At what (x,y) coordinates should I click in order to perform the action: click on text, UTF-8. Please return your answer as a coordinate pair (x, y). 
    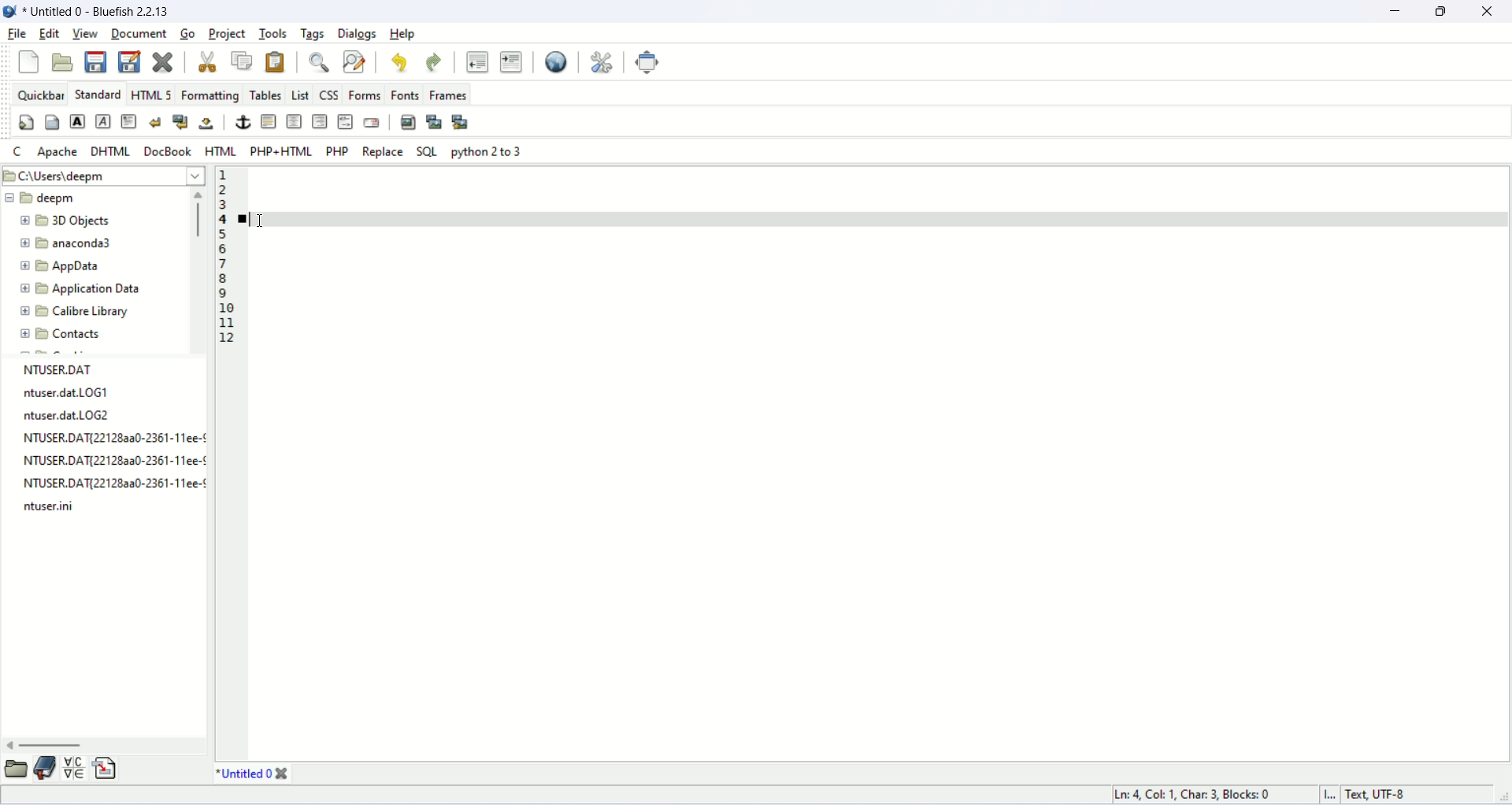
    Looking at the image, I should click on (1379, 796).